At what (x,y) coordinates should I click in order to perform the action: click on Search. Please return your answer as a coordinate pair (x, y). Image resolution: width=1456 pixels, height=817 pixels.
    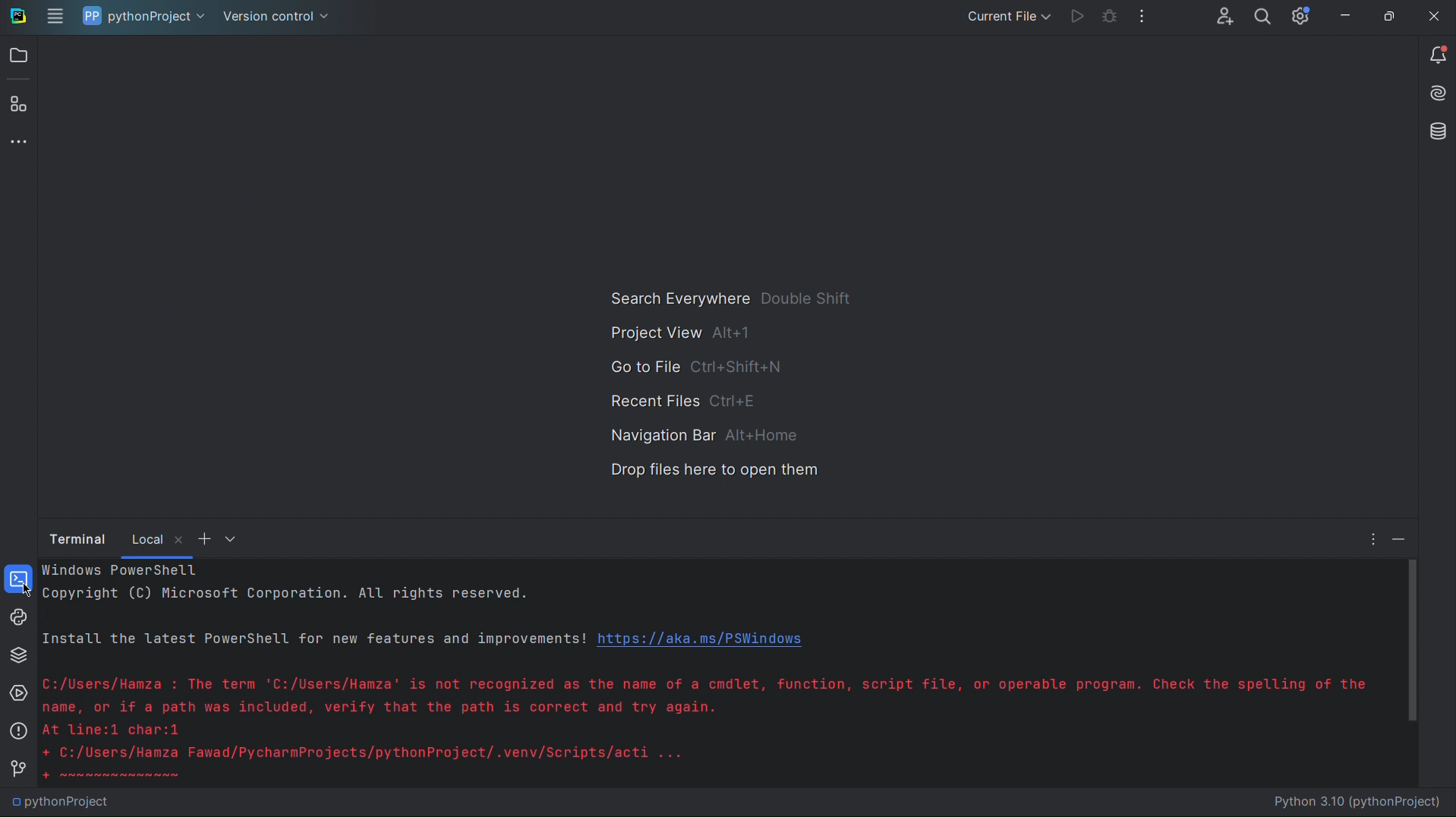
    Looking at the image, I should click on (1262, 18).